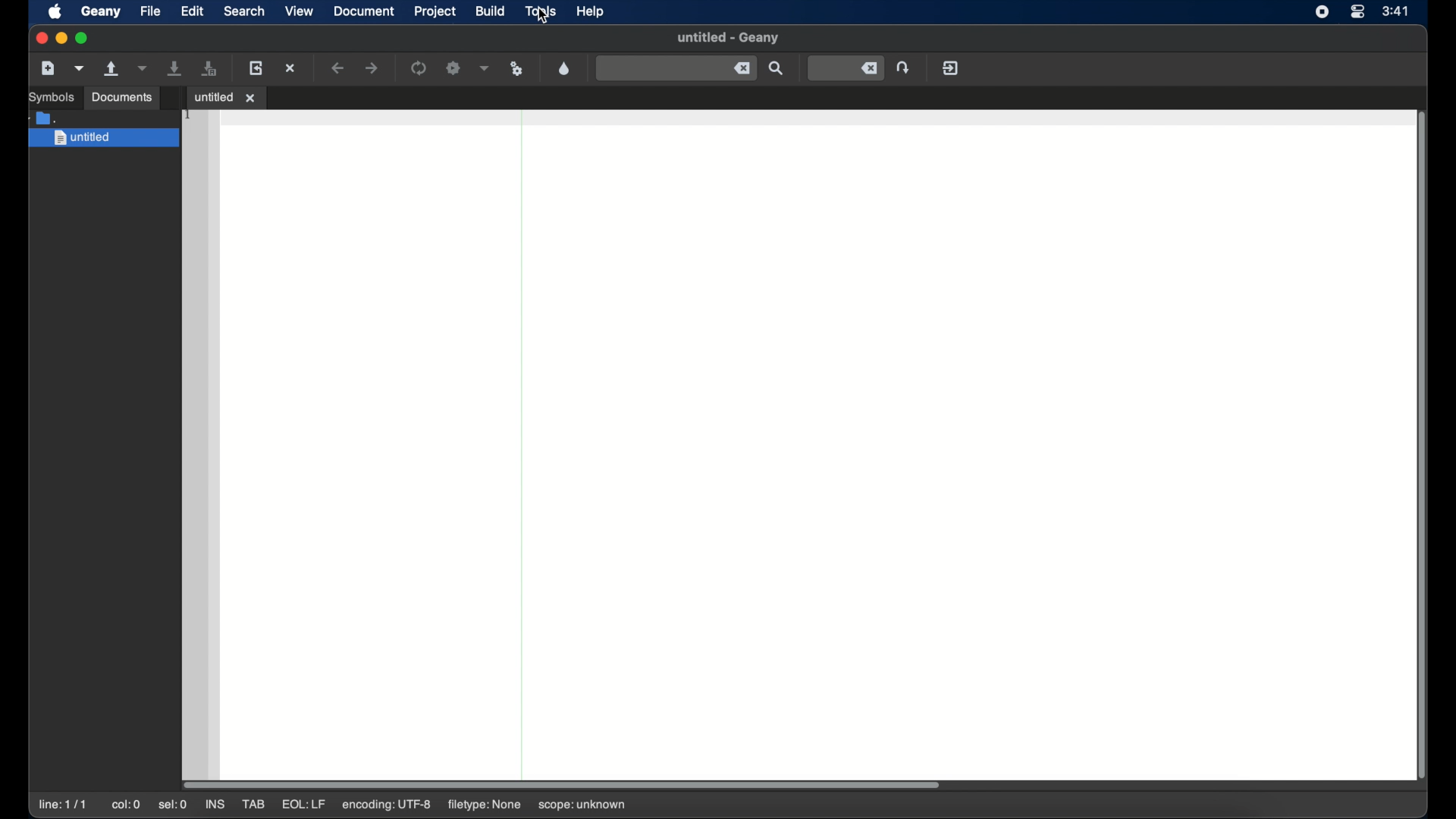 The width and height of the screenshot is (1456, 819). I want to click on compile the current file, so click(419, 67).